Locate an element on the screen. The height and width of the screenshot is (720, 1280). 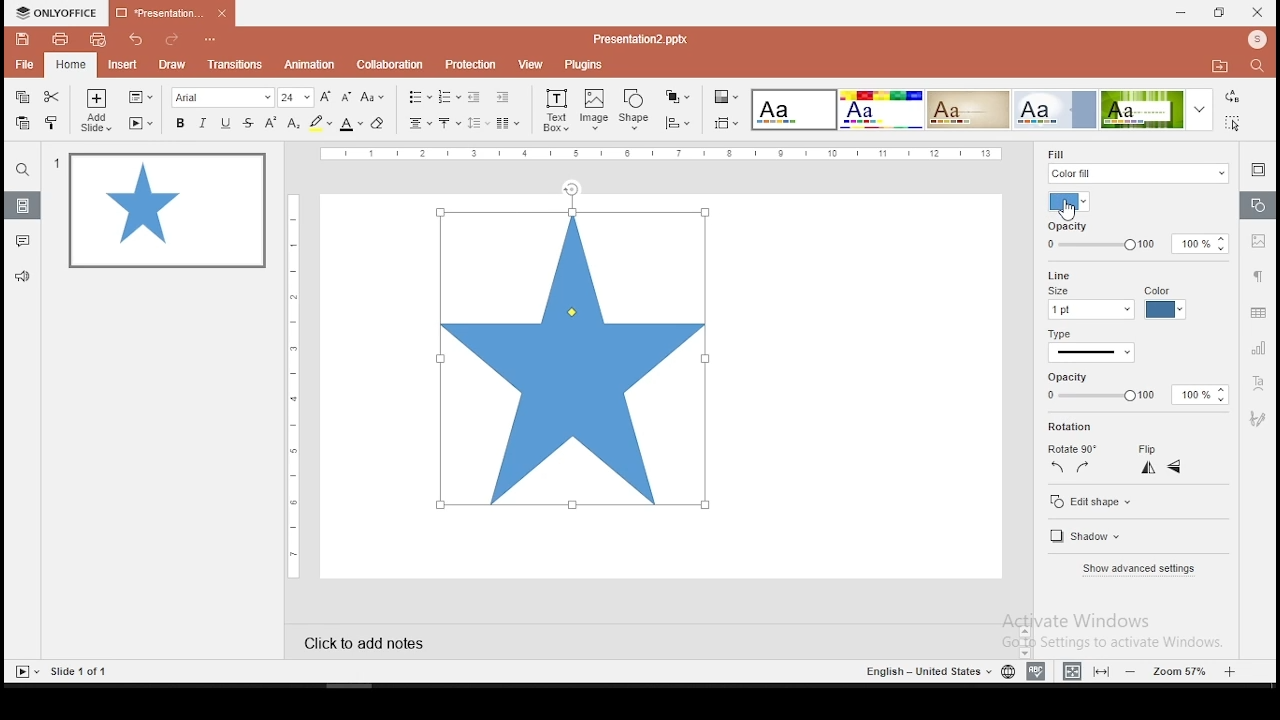
font is located at coordinates (222, 97).